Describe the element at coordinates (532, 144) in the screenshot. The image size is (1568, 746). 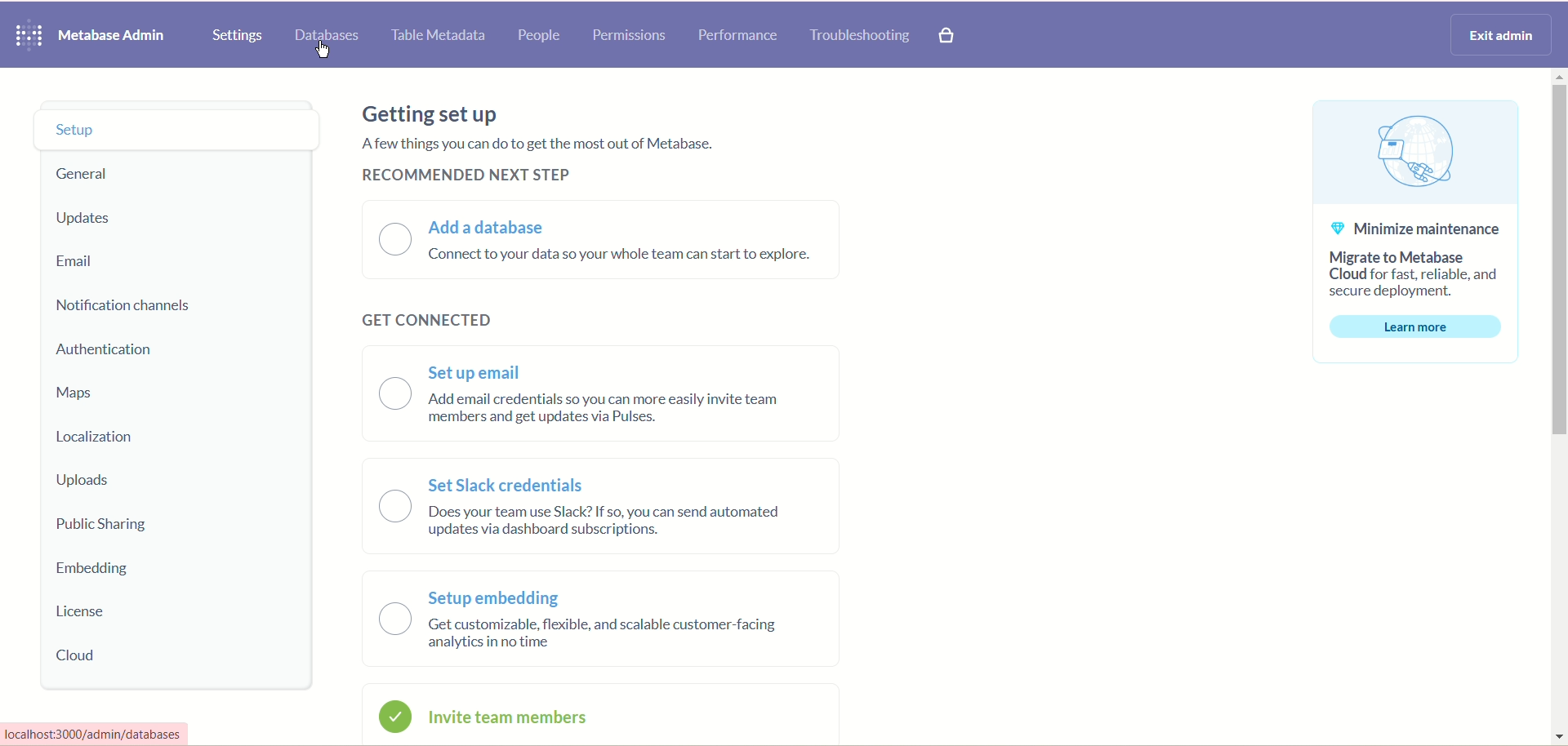
I see `a few things you can do to get the most out of Metabase` at that location.